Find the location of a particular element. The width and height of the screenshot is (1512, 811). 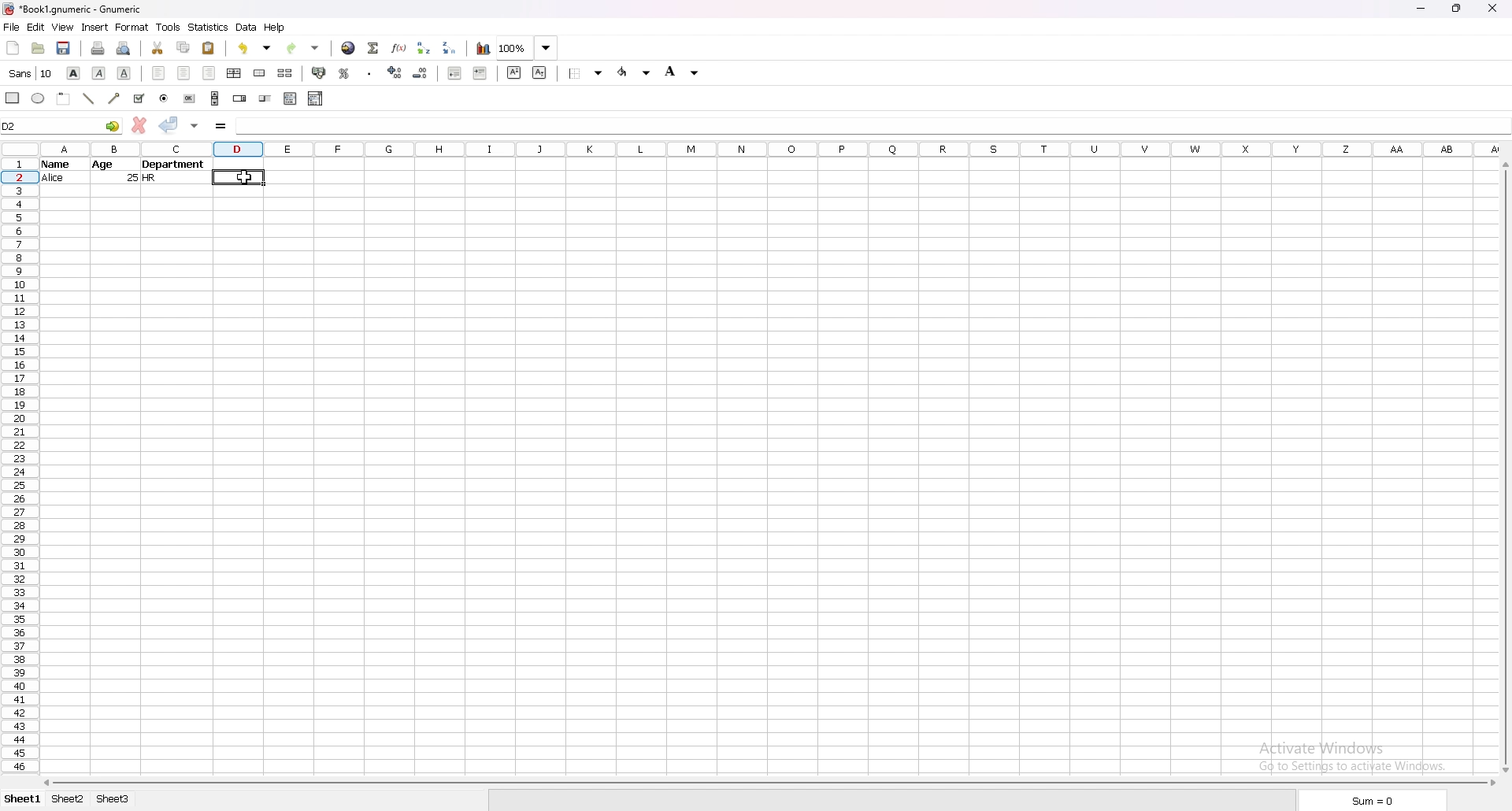

superscript is located at coordinates (514, 72).